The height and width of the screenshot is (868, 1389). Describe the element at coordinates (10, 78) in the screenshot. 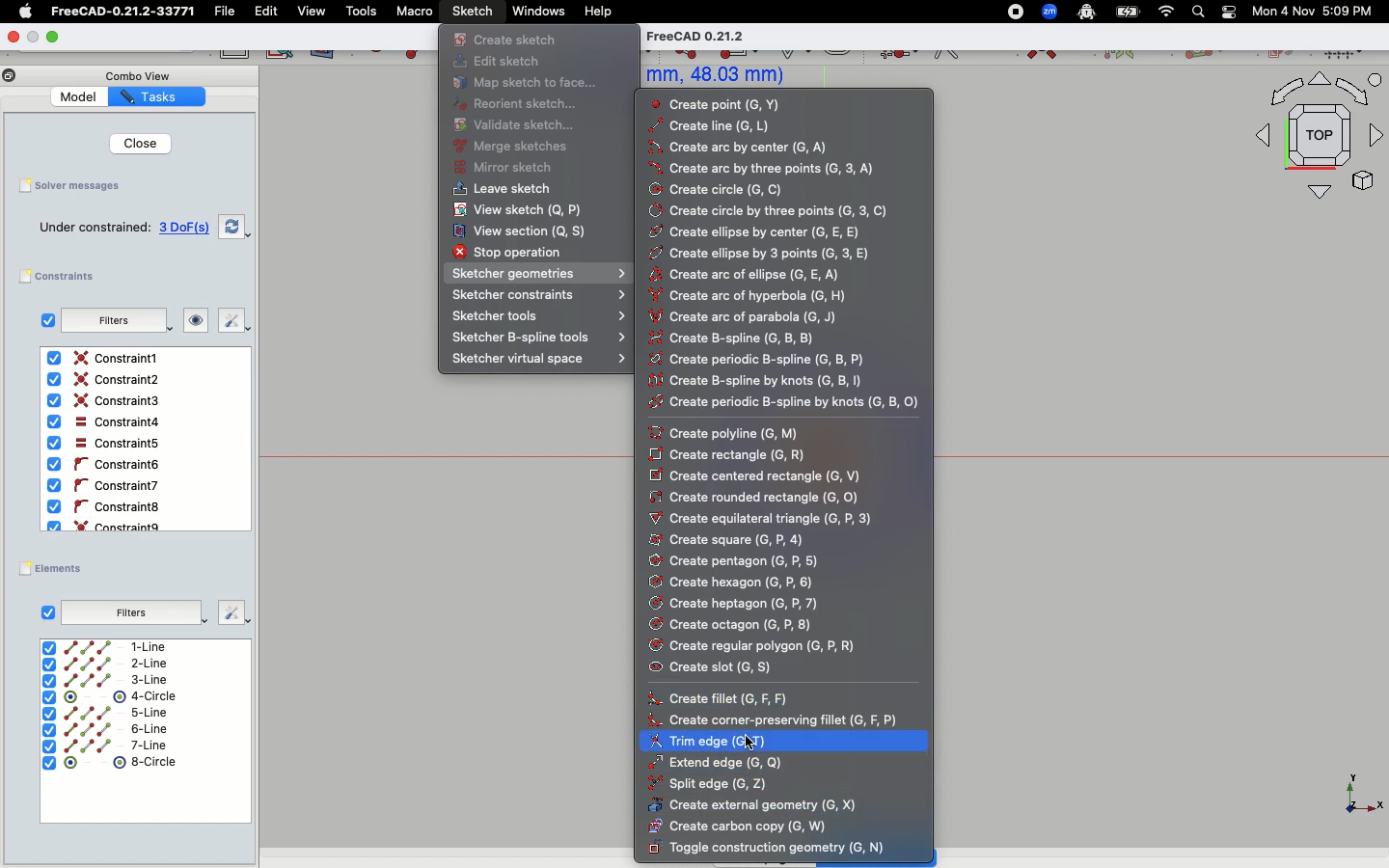

I see `Copy` at that location.